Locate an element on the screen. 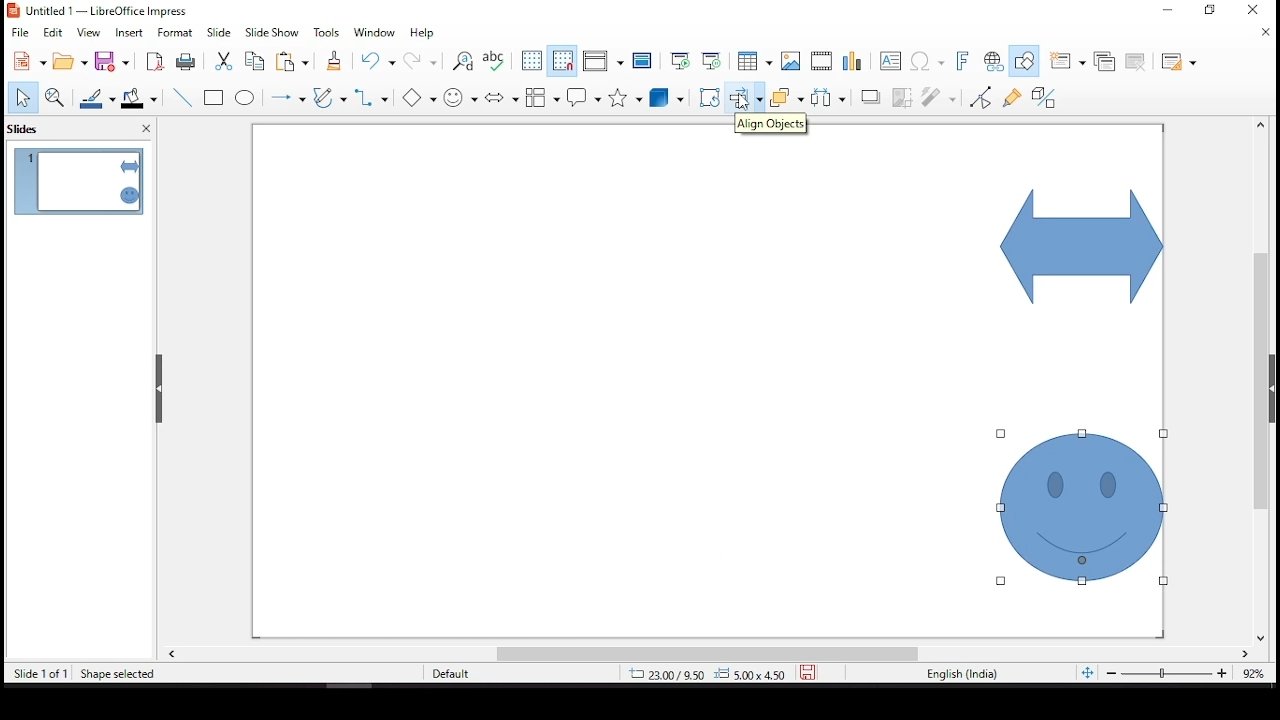  charts is located at coordinates (855, 62).